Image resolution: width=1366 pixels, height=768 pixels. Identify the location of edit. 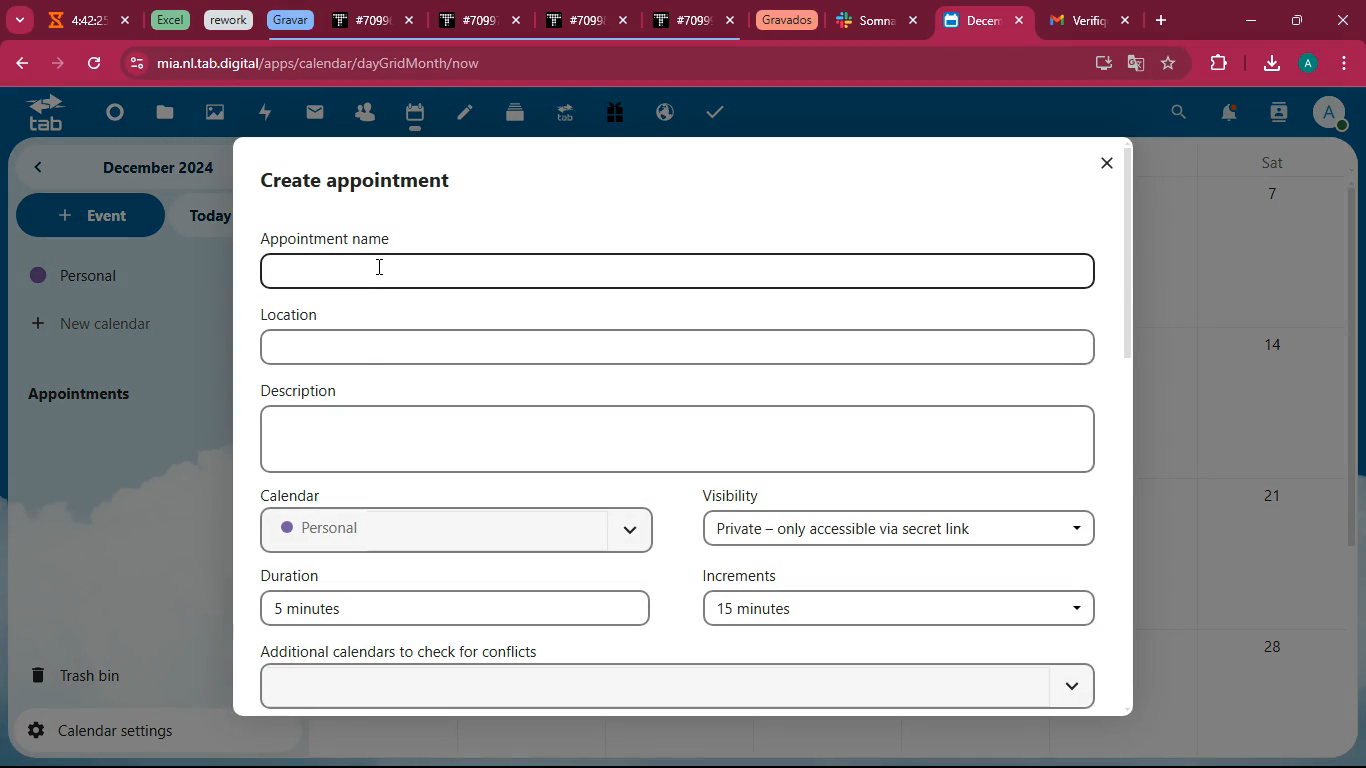
(465, 115).